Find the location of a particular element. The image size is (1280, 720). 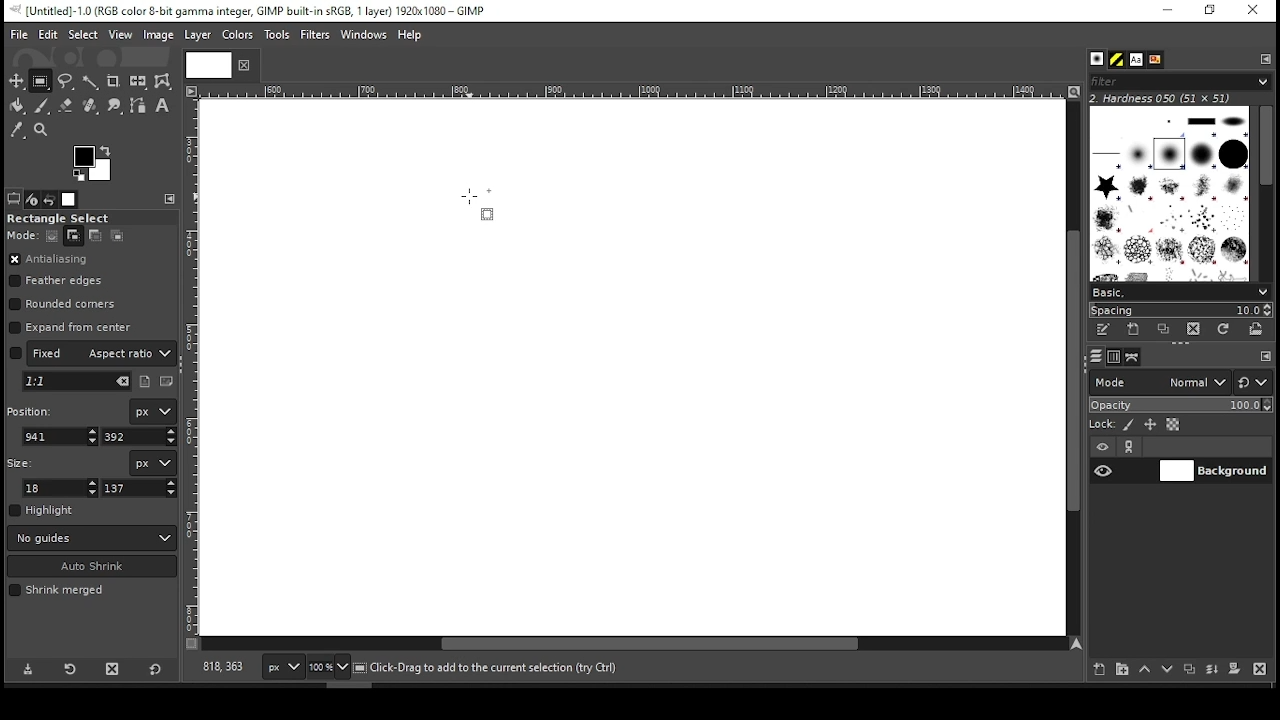

selection tool is located at coordinates (17, 81).